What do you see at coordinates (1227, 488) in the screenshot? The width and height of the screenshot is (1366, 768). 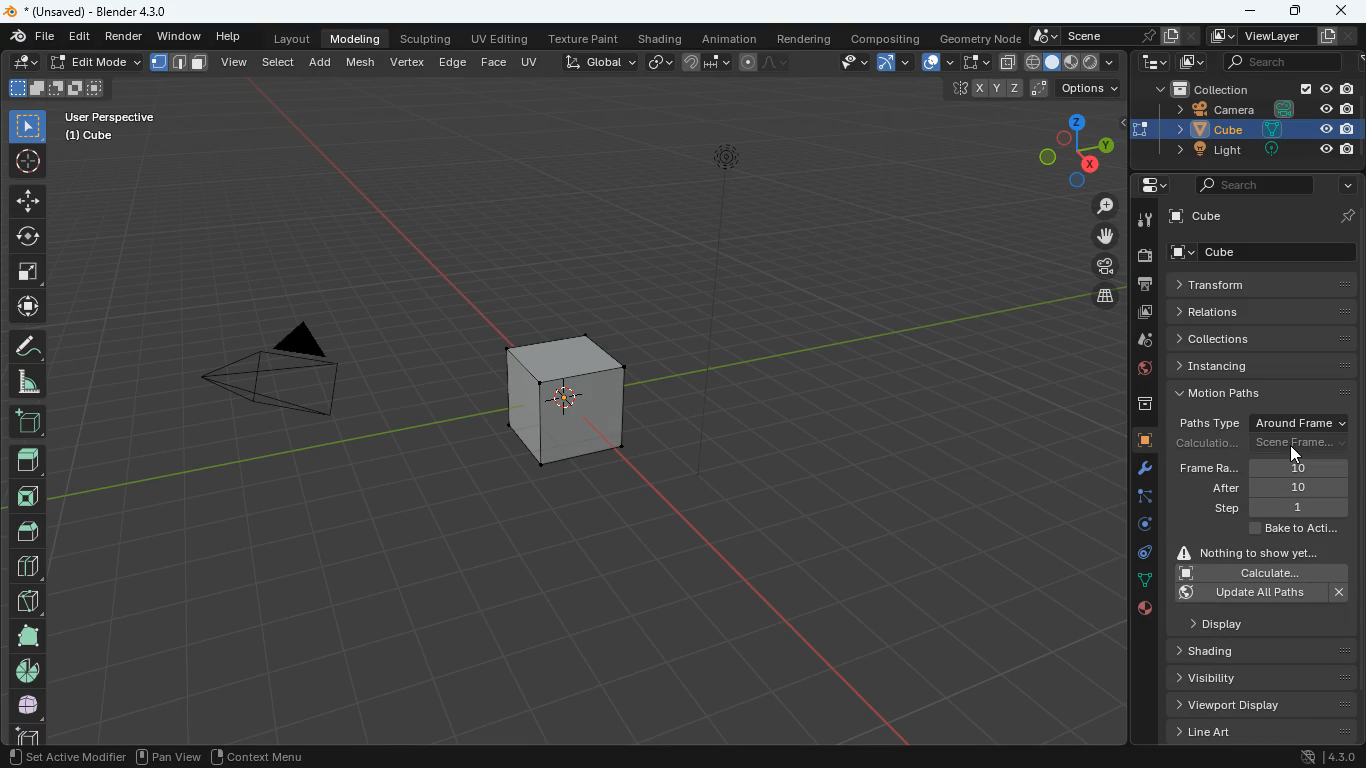 I see `After` at bounding box center [1227, 488].